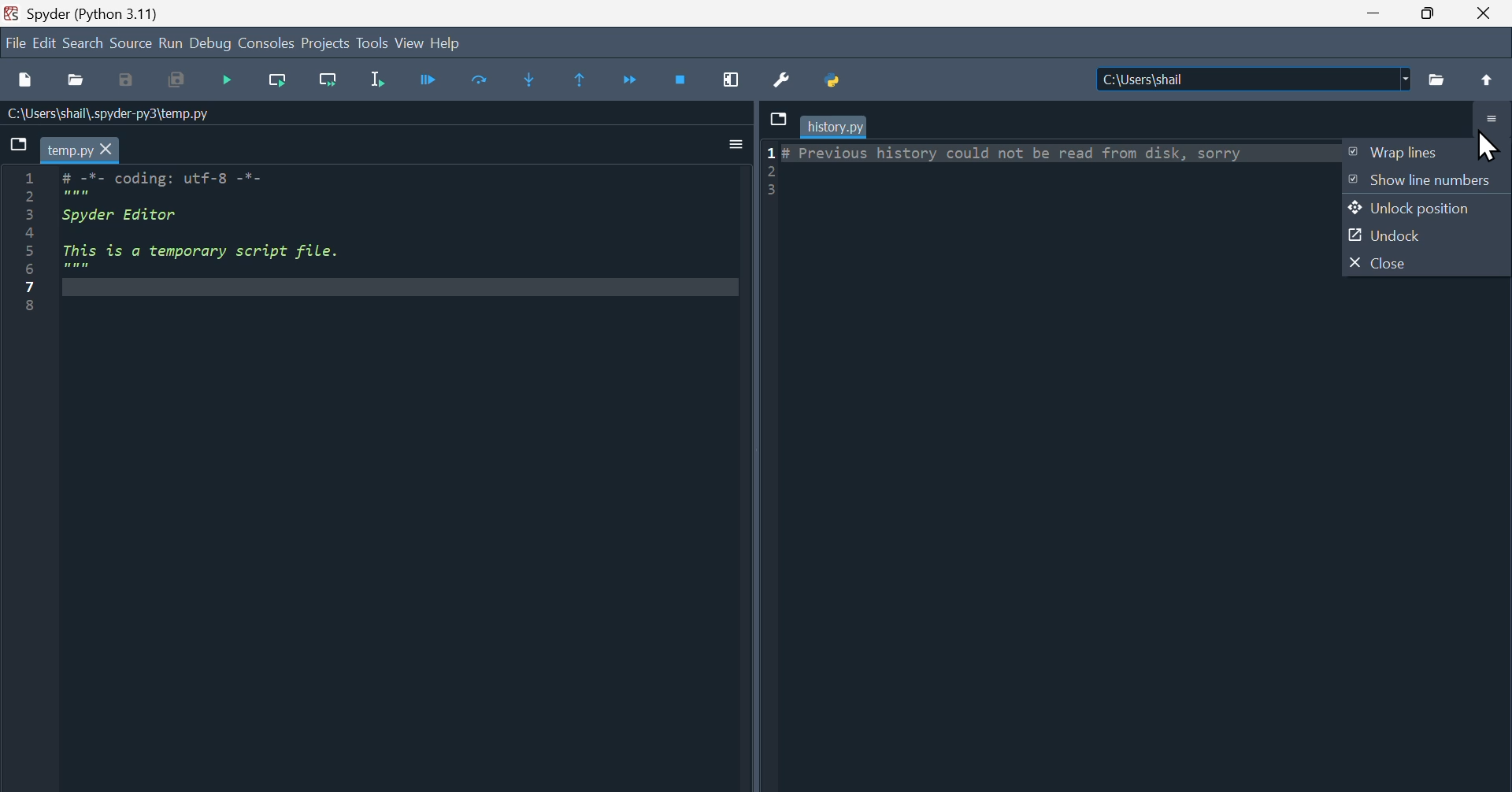 The image size is (1512, 792). Describe the element at coordinates (43, 43) in the screenshot. I see `Edit` at that location.